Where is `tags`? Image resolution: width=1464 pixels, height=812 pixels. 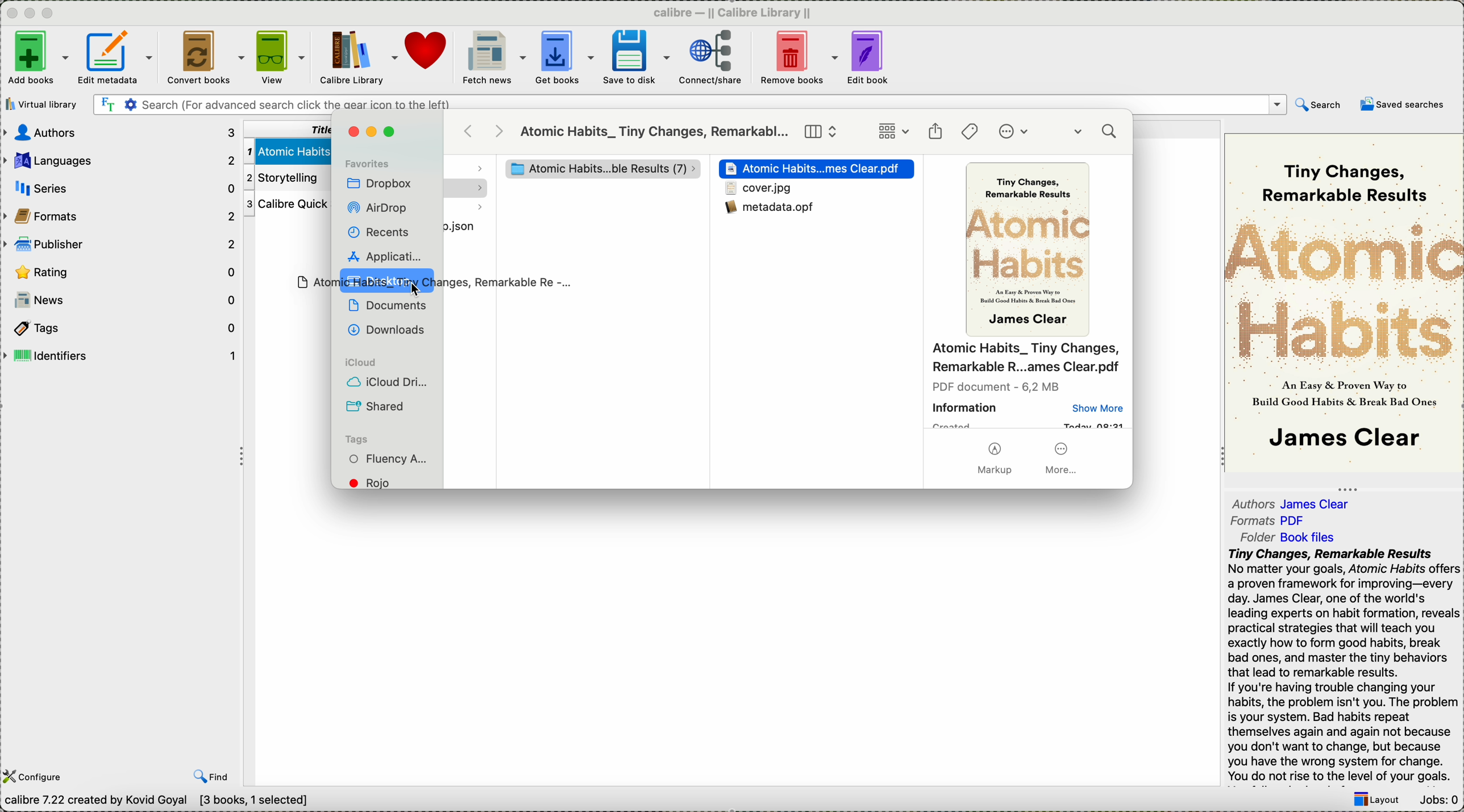 tags is located at coordinates (356, 439).